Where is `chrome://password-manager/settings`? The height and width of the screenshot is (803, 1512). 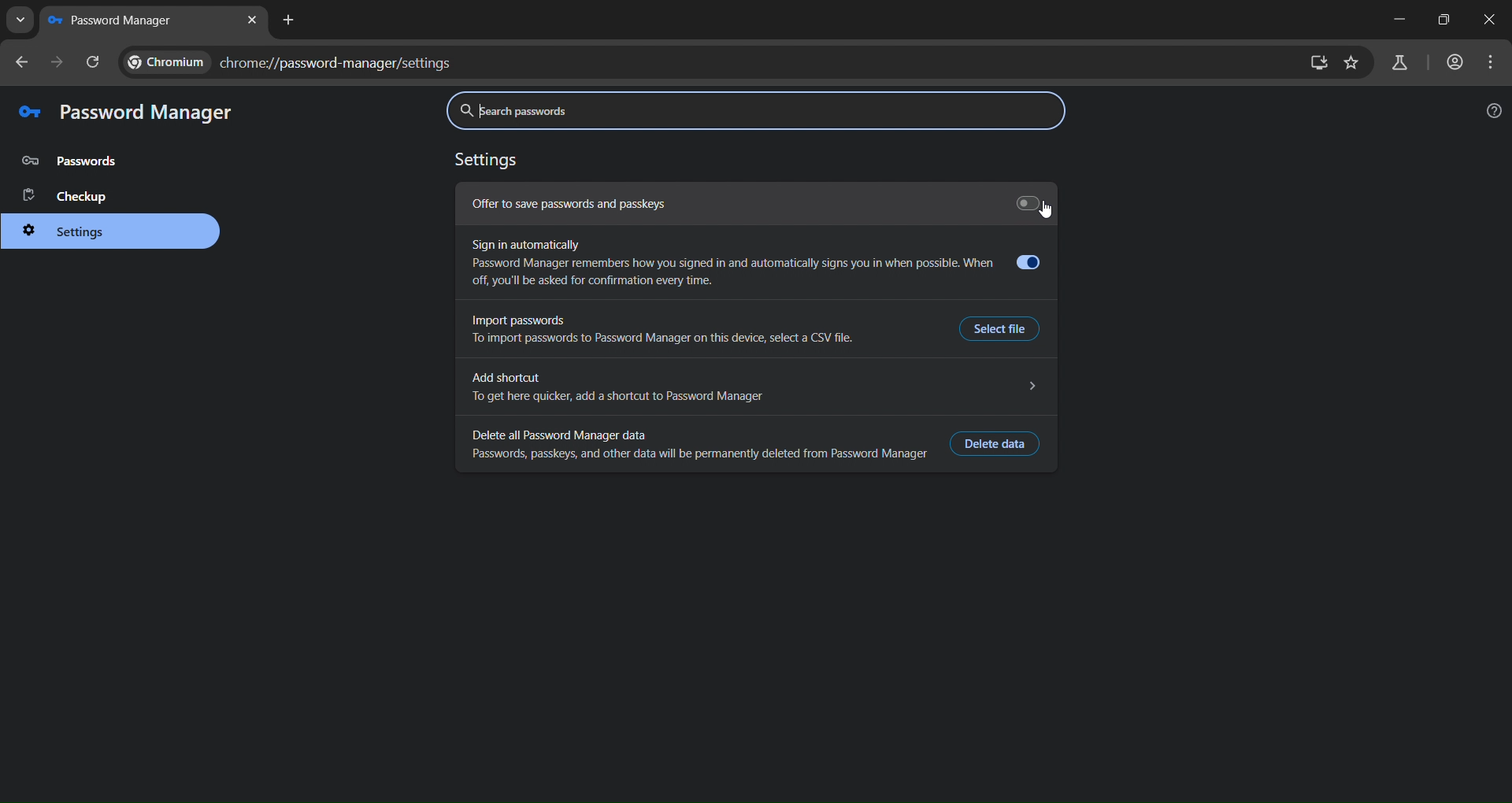
chrome://password-manager/settings is located at coordinates (338, 64).